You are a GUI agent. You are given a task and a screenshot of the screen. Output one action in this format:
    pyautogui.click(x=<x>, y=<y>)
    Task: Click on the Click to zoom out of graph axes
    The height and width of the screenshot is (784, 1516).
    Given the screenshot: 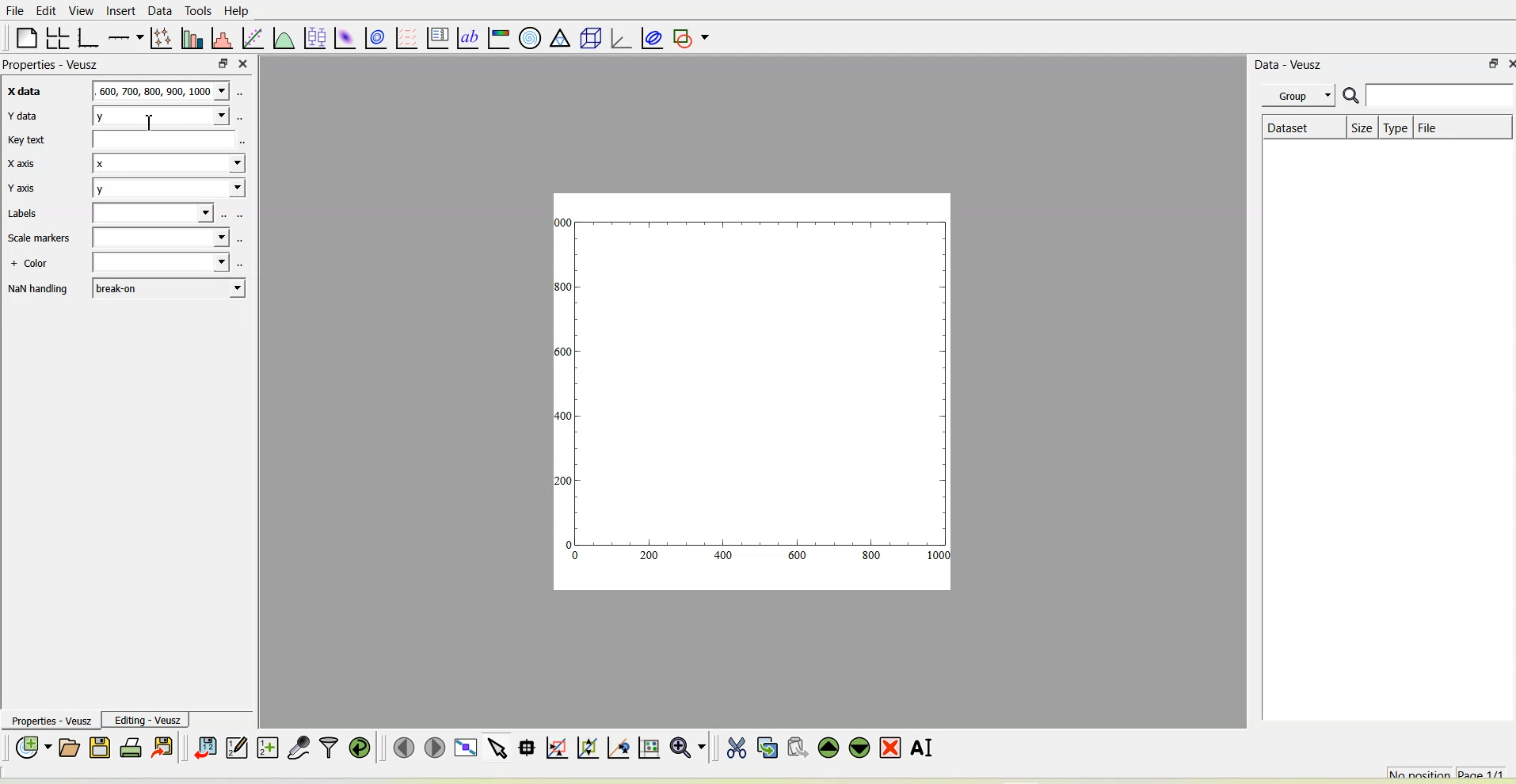 What is the action you would take?
    pyautogui.click(x=589, y=749)
    